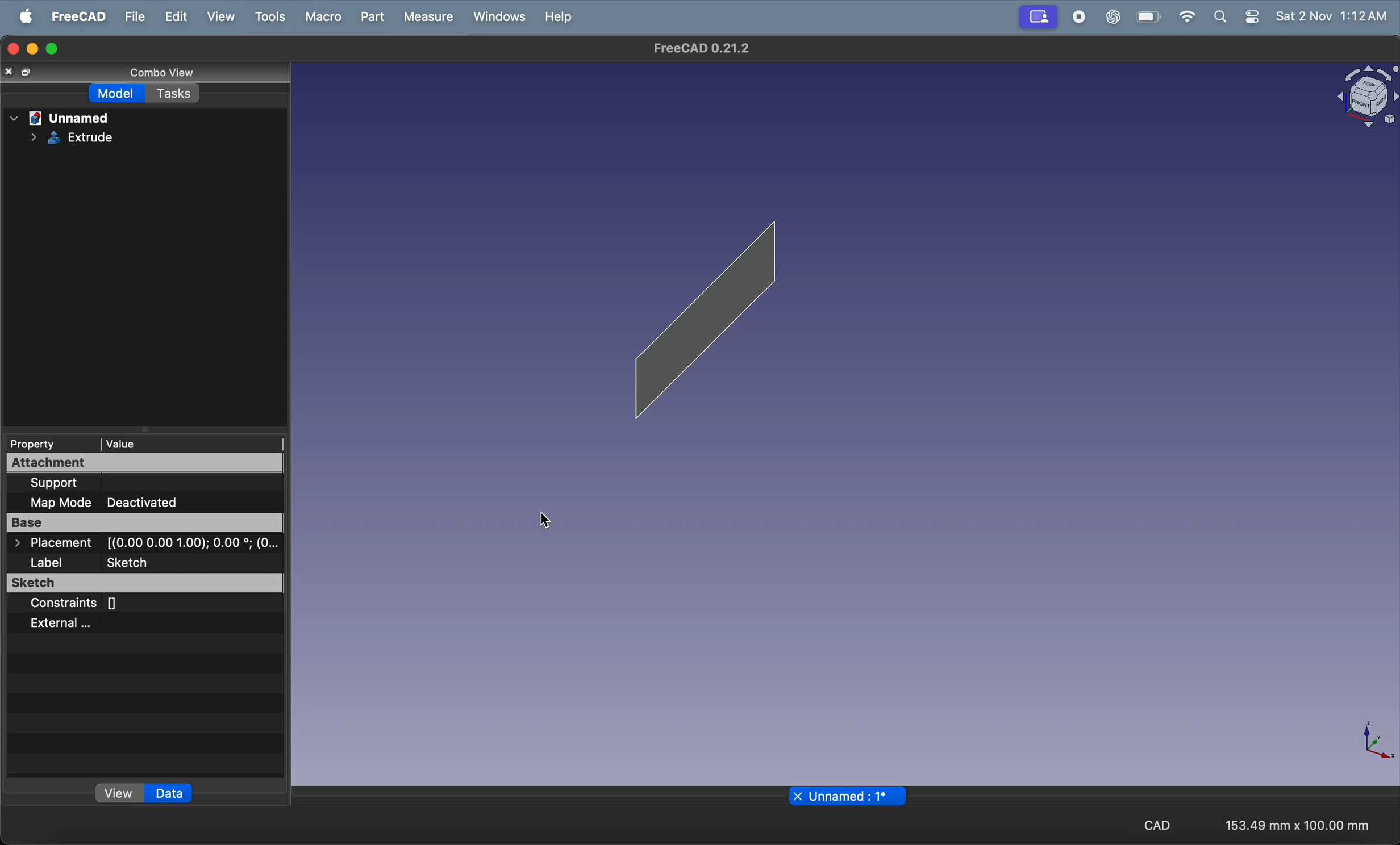 This screenshot has height=845, width=1400. I want to click on tools, so click(267, 18).